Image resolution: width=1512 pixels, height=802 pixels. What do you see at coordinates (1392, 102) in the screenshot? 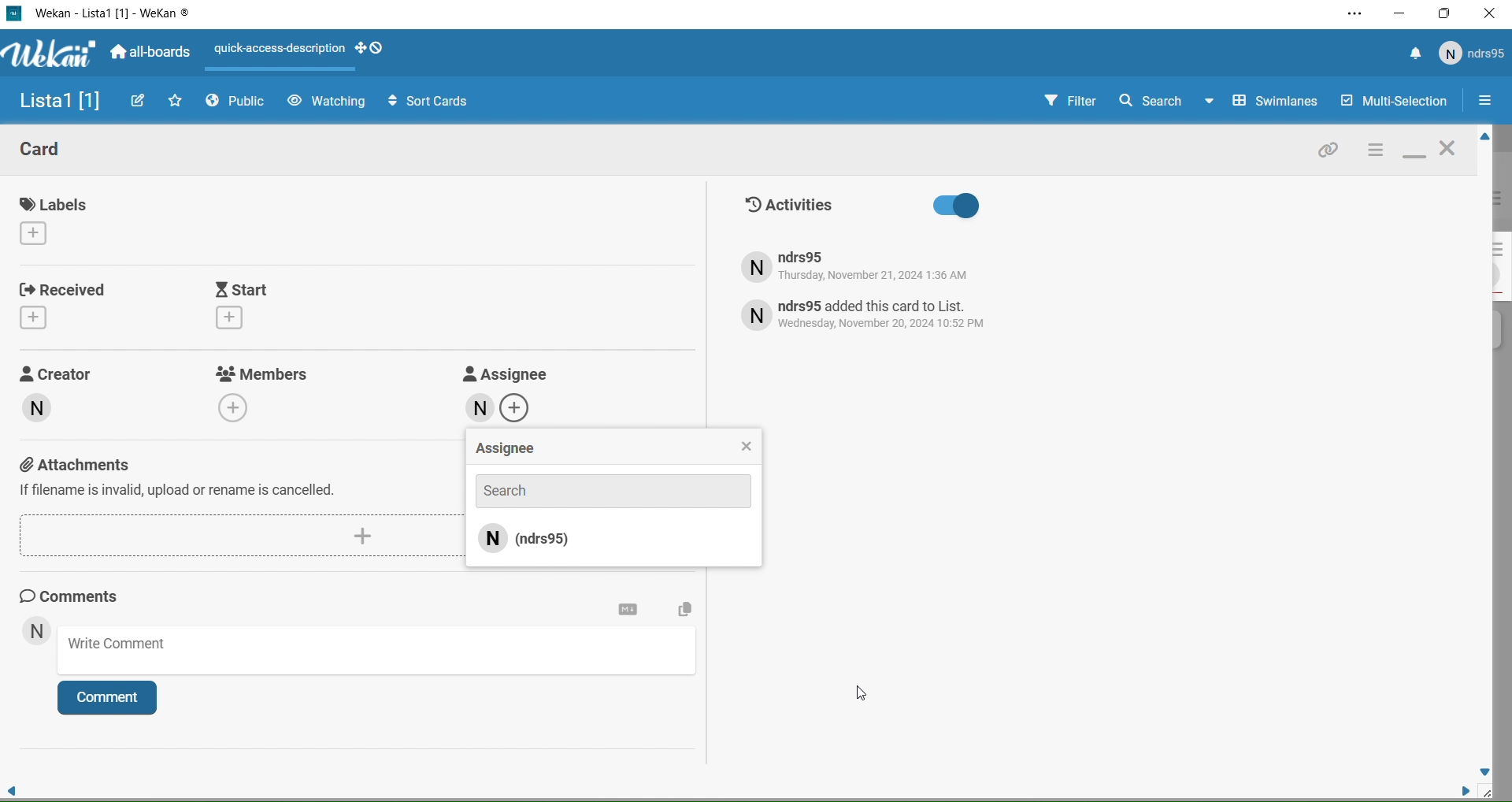
I see `Multi Selection` at bounding box center [1392, 102].